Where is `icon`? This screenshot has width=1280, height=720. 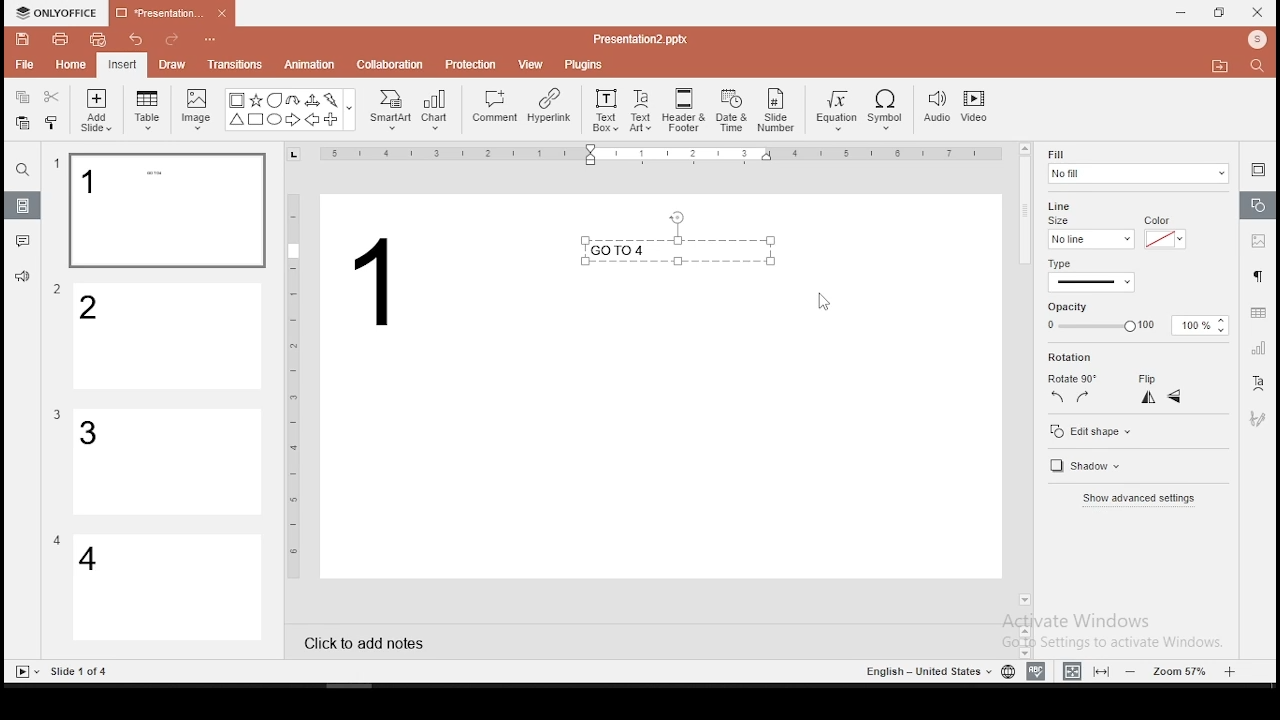 icon is located at coordinates (60, 13).